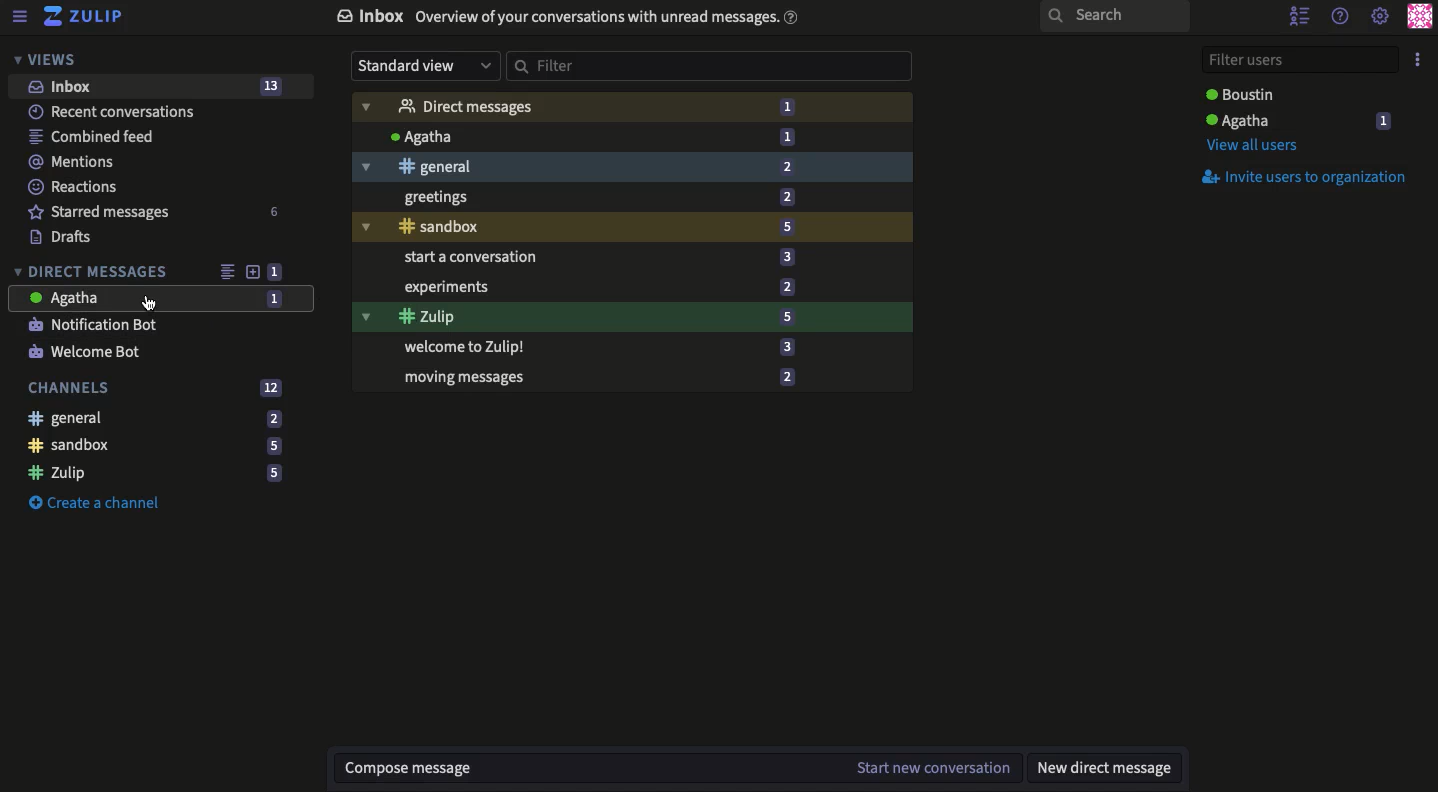  Describe the element at coordinates (159, 446) in the screenshot. I see `Sandbox` at that location.